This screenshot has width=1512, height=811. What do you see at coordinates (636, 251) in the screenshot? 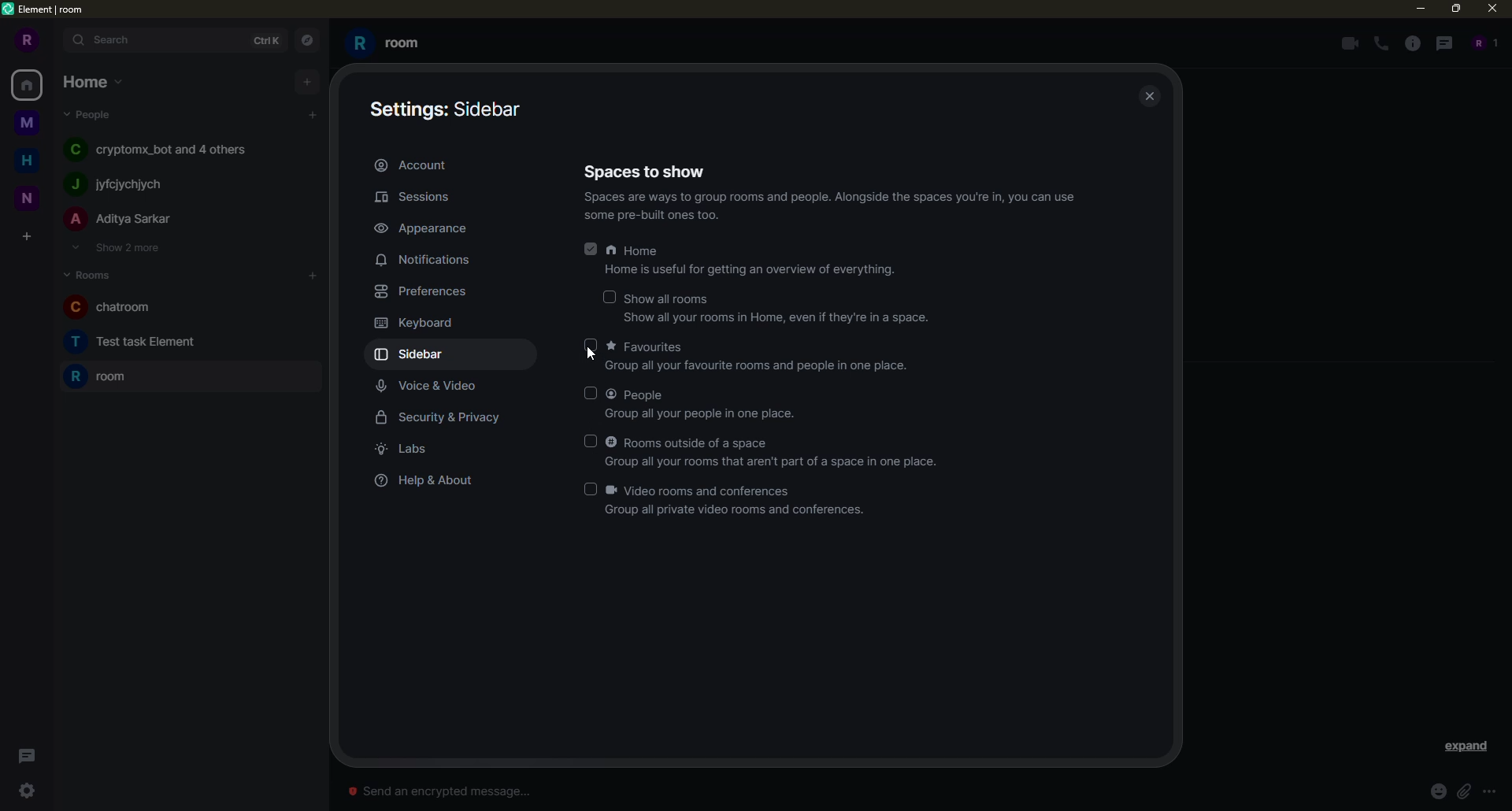
I see `home` at bounding box center [636, 251].